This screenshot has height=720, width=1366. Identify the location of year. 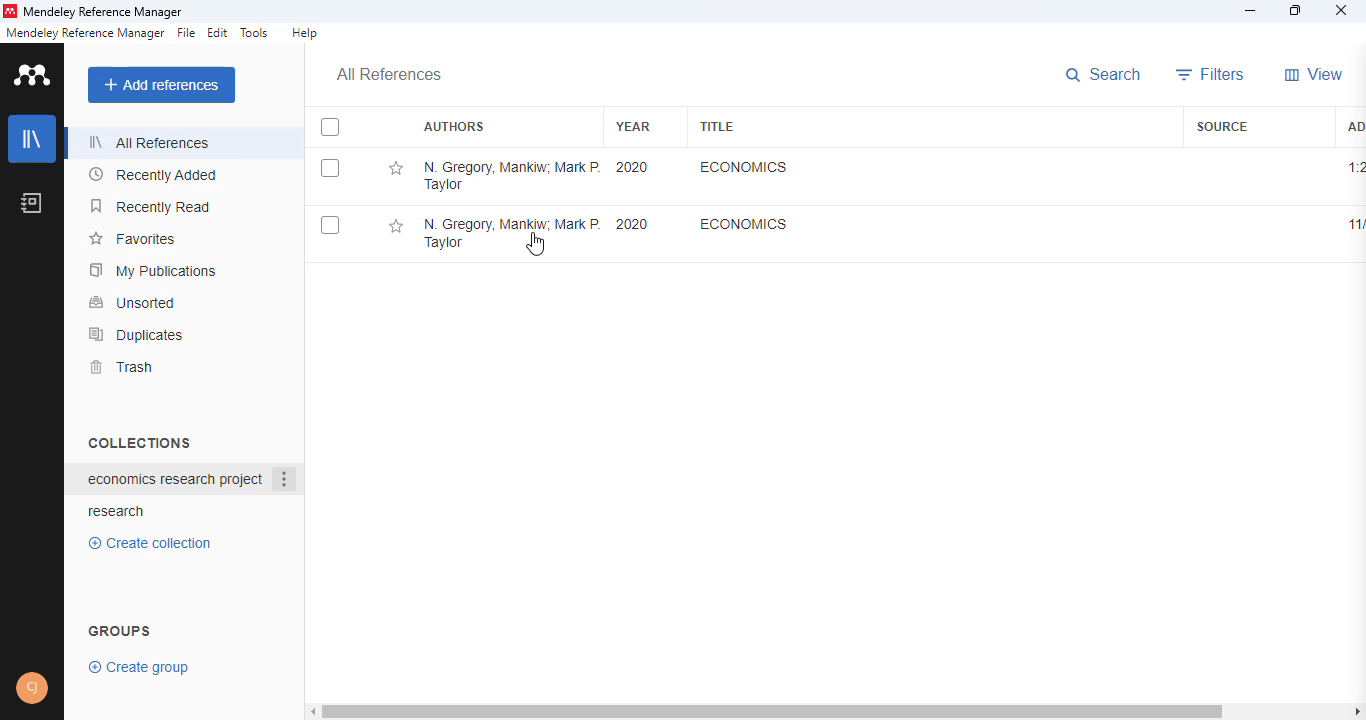
(633, 126).